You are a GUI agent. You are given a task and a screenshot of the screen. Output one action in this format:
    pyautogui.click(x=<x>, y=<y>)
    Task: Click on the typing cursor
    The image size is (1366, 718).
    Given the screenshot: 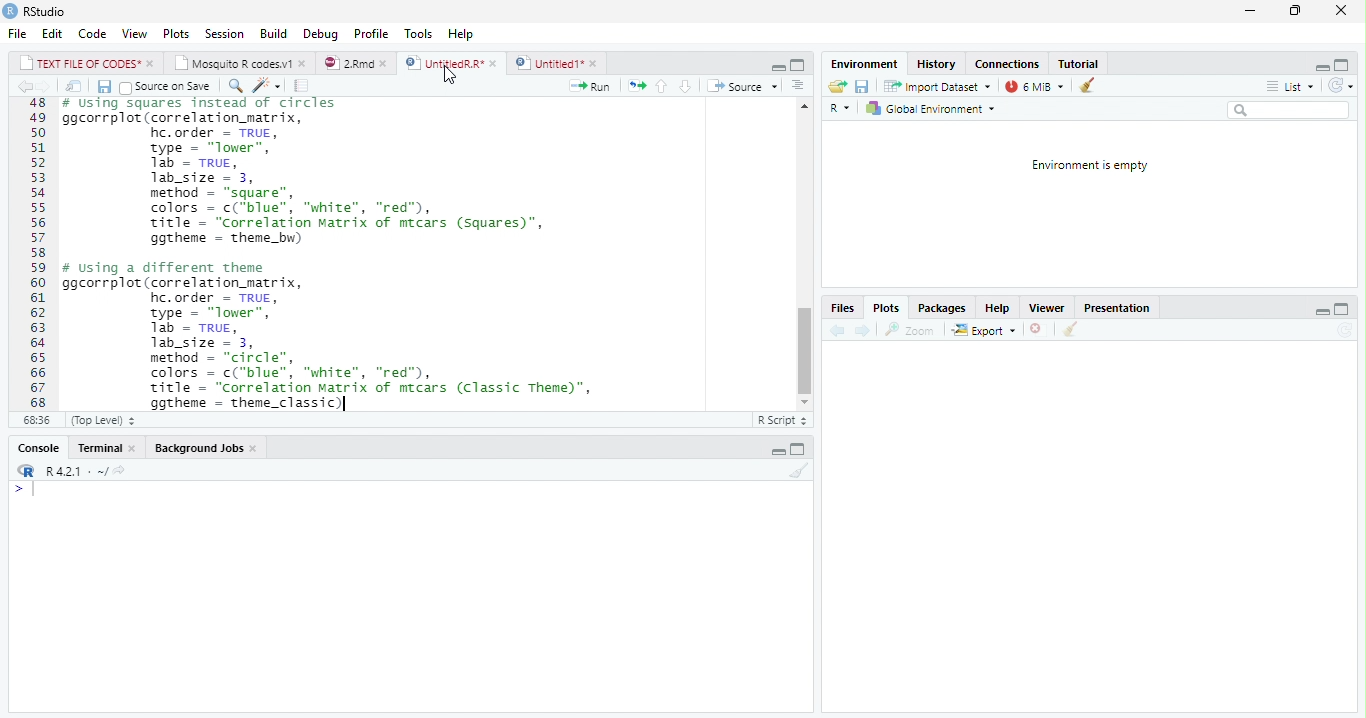 What is the action you would take?
    pyautogui.click(x=344, y=405)
    